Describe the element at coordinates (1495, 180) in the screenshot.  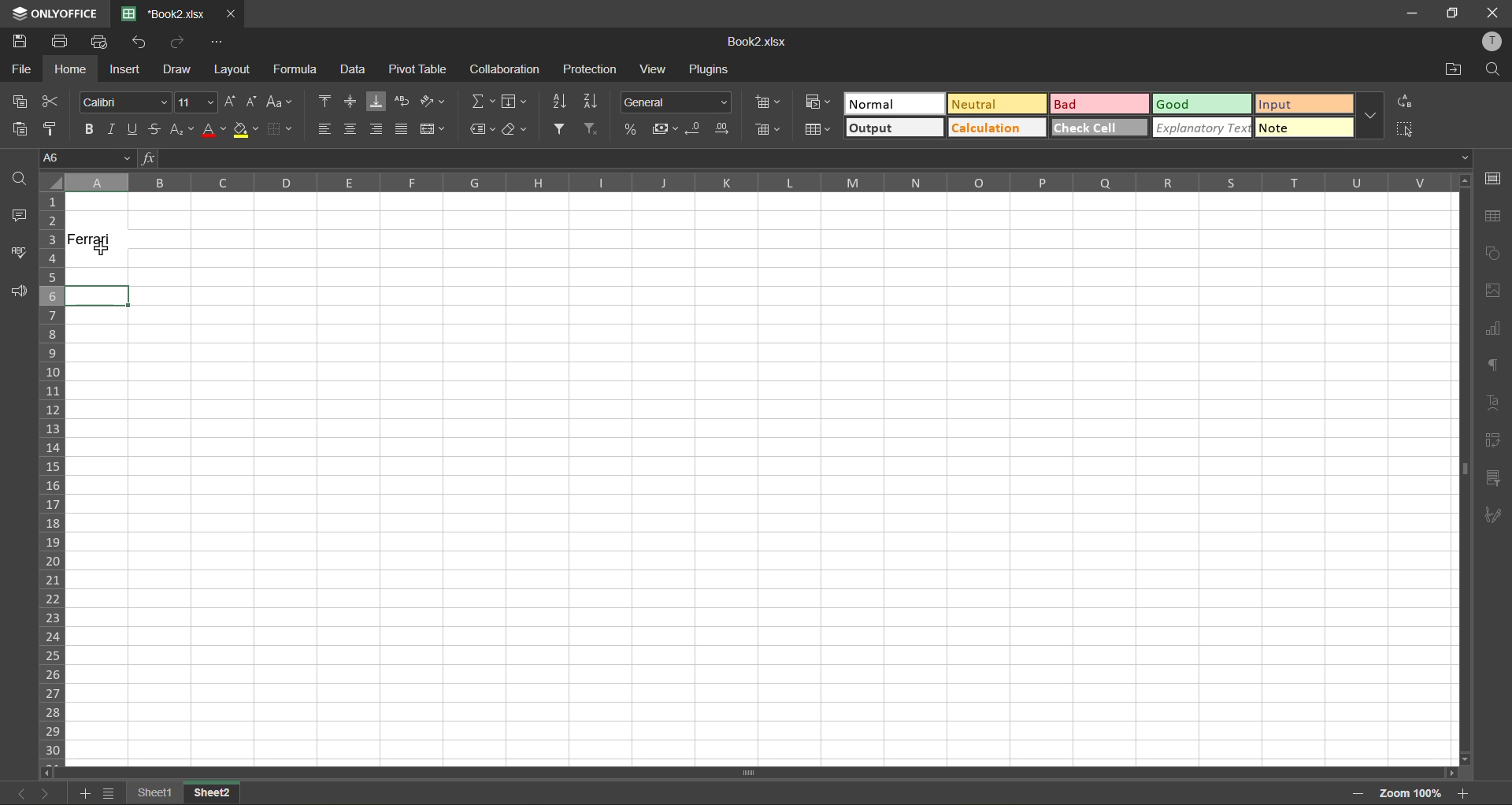
I see `cell setting` at that location.